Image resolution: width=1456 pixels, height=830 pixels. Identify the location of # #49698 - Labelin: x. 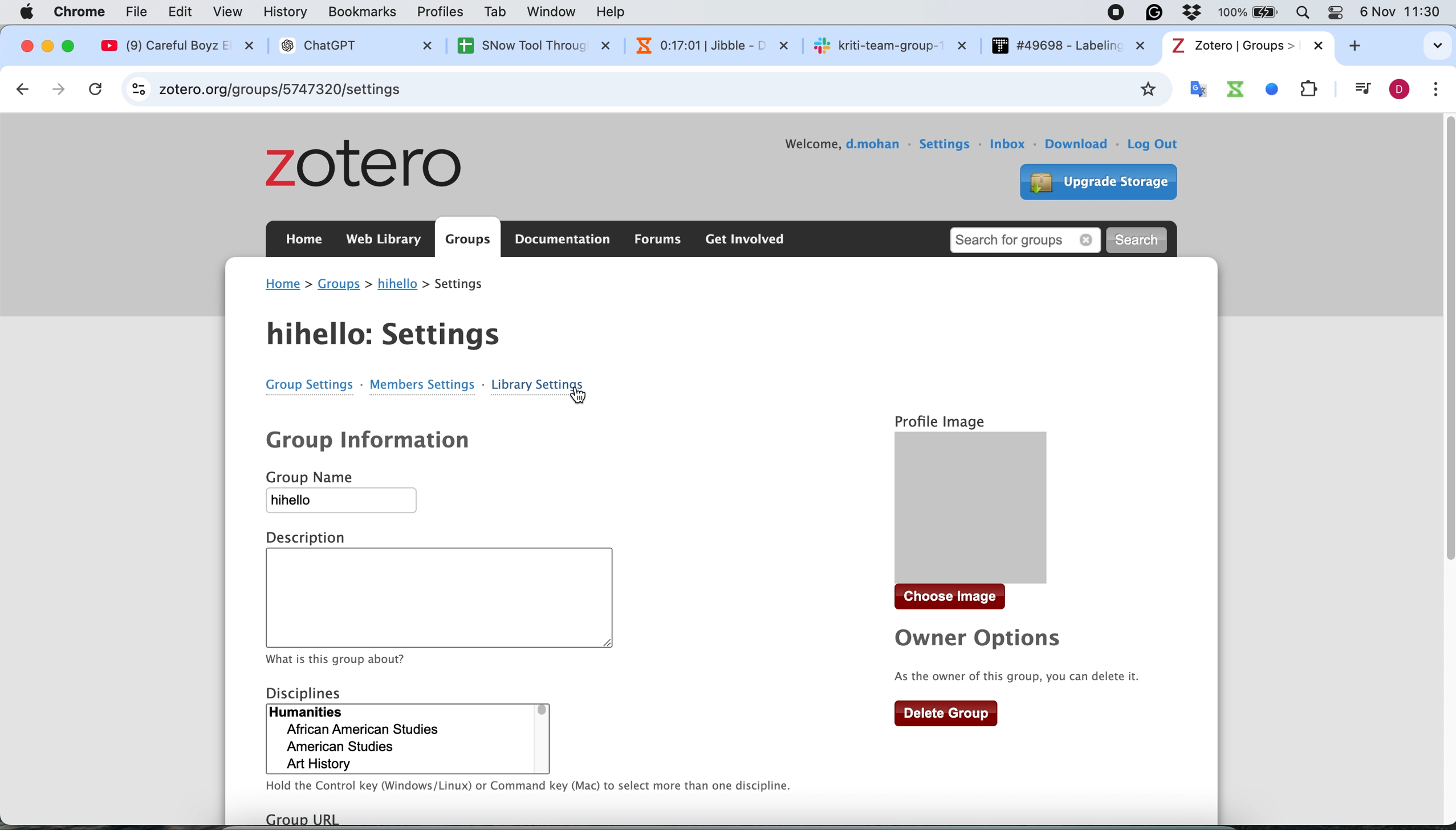
(1069, 46).